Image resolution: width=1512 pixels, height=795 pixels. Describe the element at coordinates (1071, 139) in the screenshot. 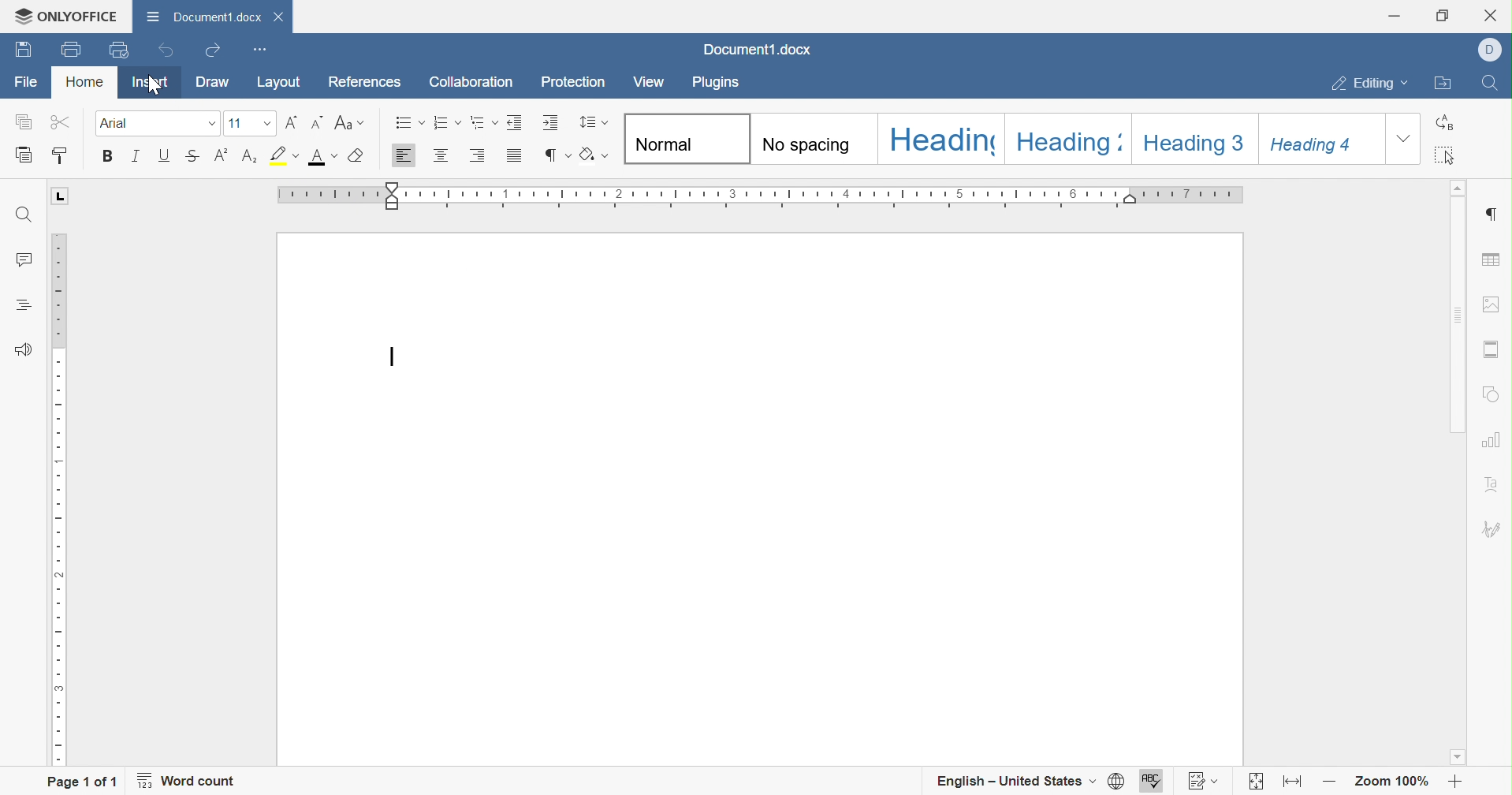

I see `Heading2` at that location.